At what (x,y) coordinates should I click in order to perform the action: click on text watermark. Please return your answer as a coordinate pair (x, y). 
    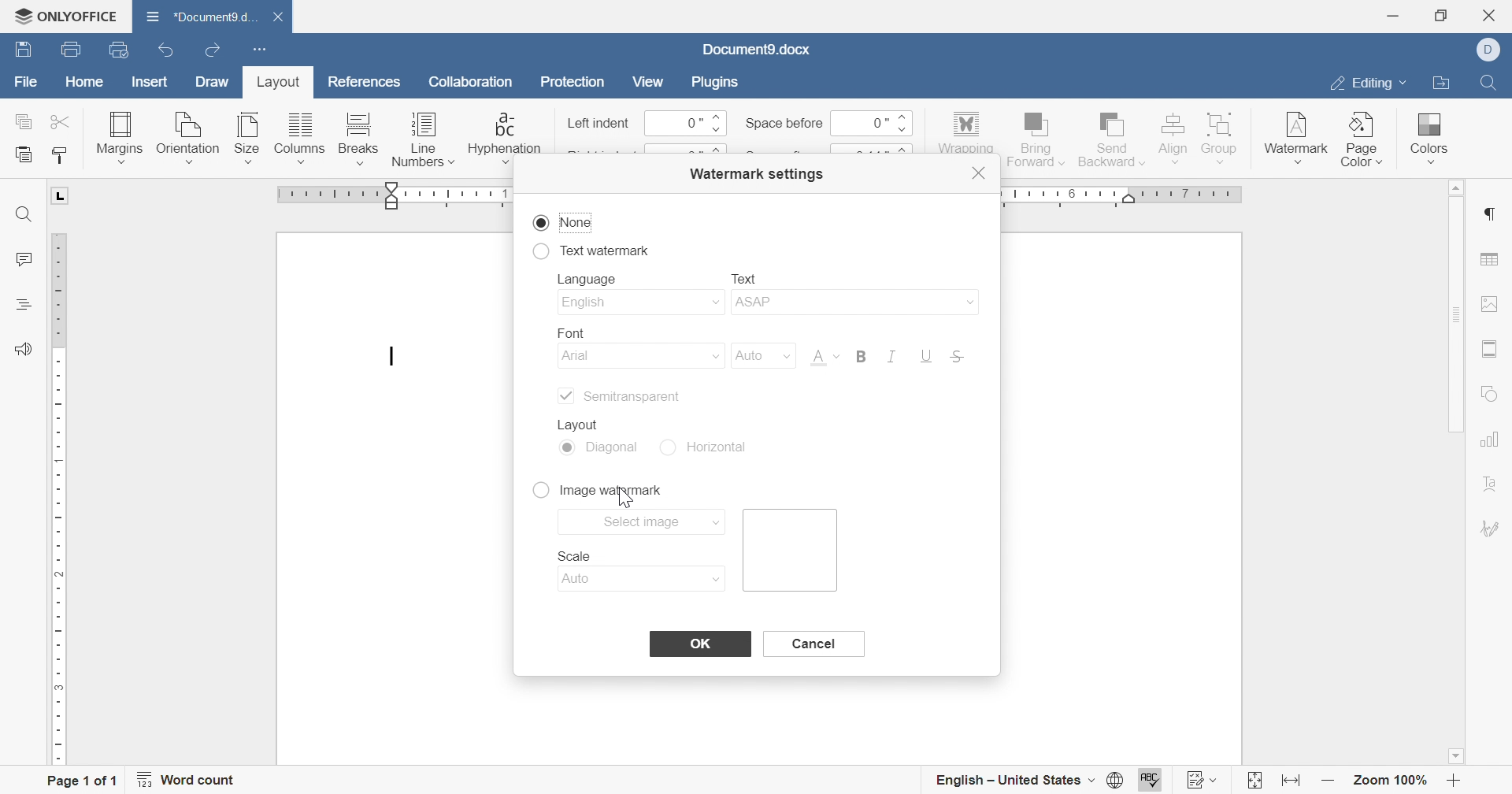
    Looking at the image, I should click on (591, 248).